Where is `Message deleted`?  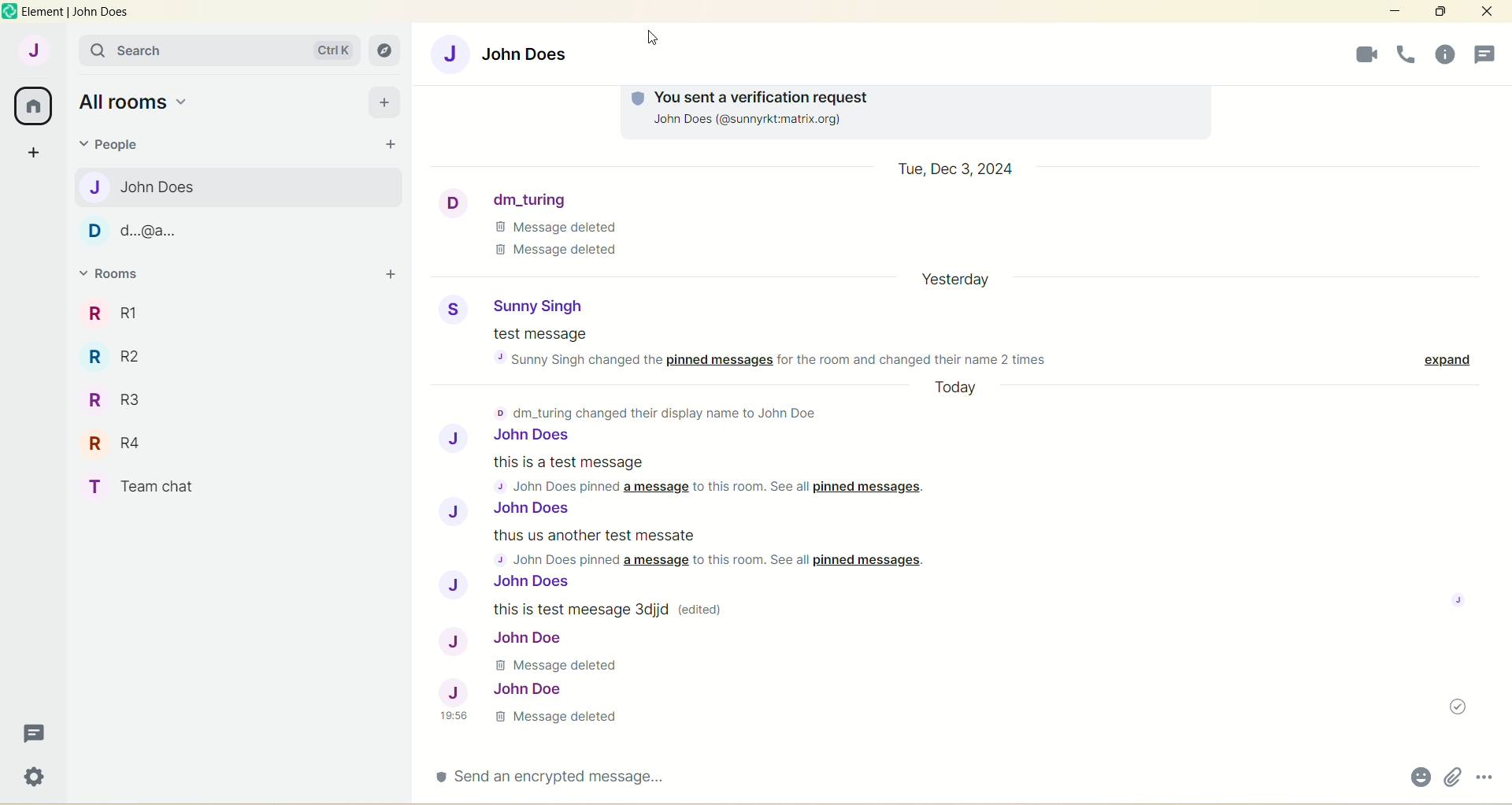 Message deleted is located at coordinates (564, 665).